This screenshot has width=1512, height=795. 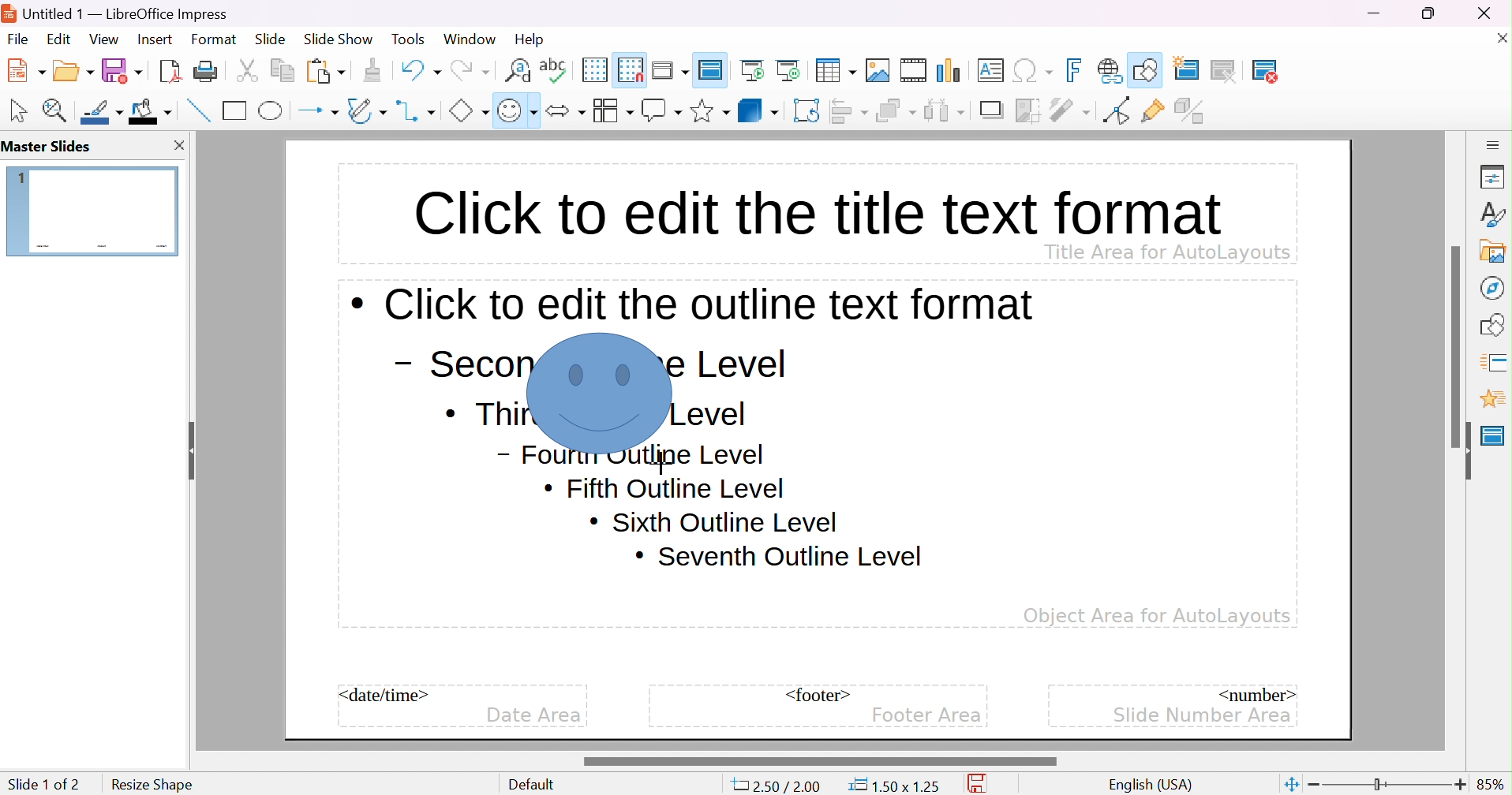 I want to click on click to edit the title text format, so click(x=814, y=209).